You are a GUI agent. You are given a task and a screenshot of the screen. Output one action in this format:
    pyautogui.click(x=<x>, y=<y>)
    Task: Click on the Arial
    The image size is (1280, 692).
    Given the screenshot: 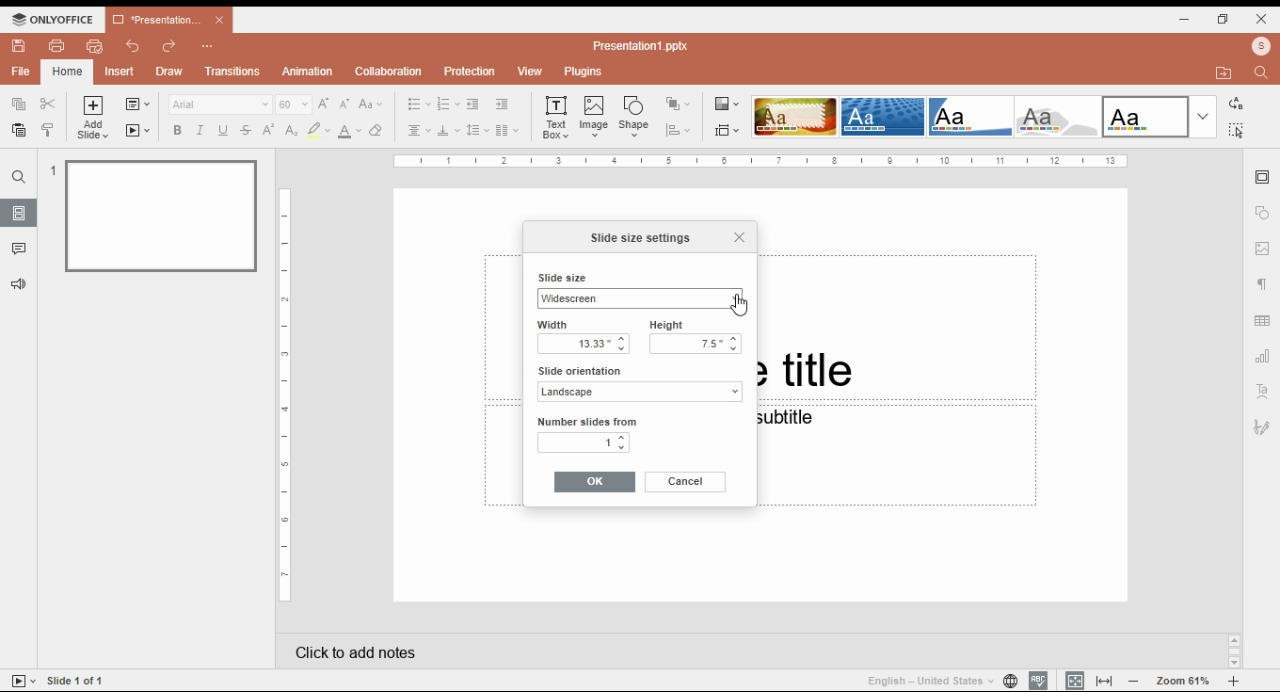 What is the action you would take?
    pyautogui.click(x=219, y=104)
    